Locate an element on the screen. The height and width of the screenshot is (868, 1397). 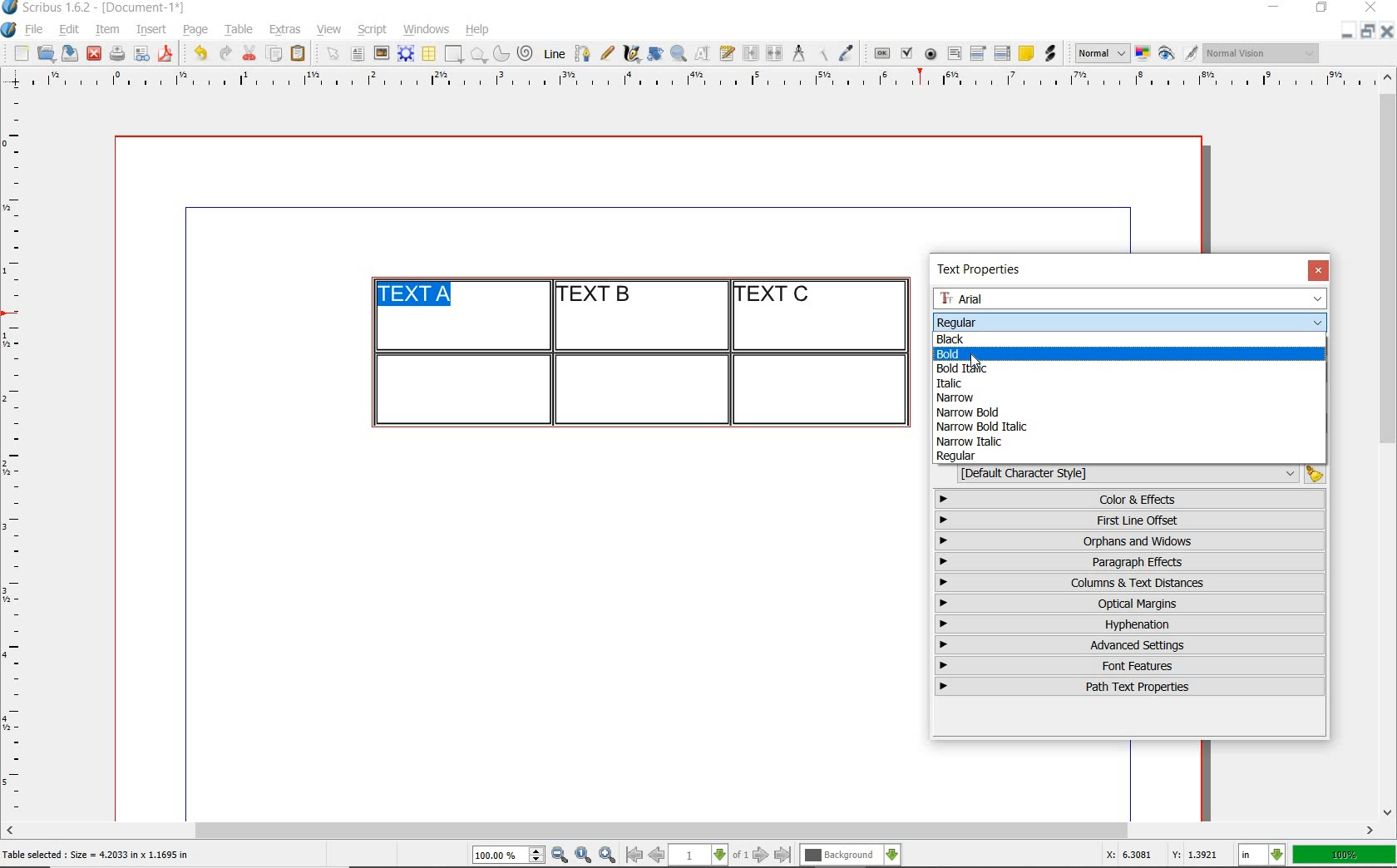
select current zoom level is located at coordinates (509, 855).